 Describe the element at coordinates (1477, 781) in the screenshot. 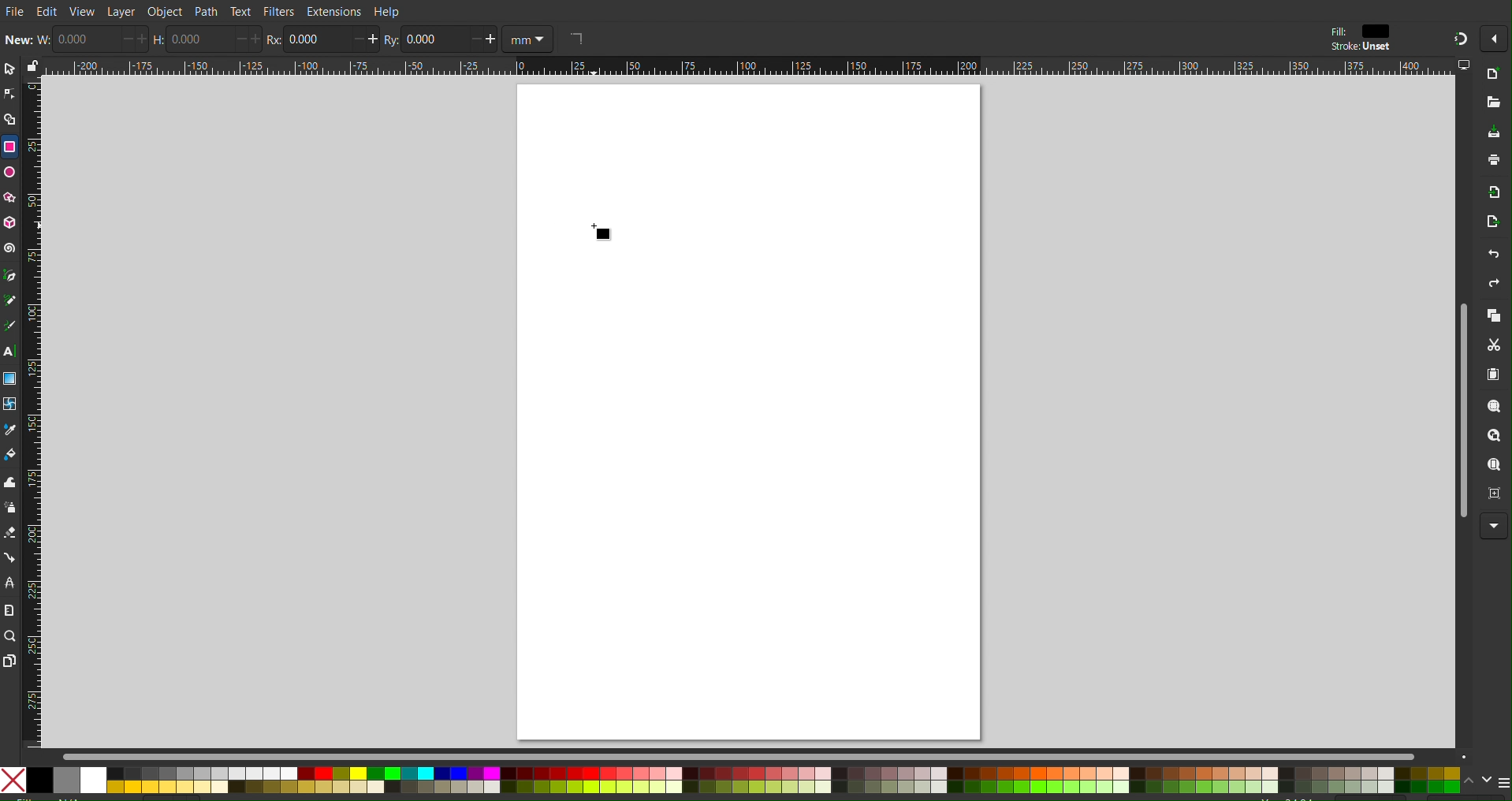

I see `navigate the colors` at that location.